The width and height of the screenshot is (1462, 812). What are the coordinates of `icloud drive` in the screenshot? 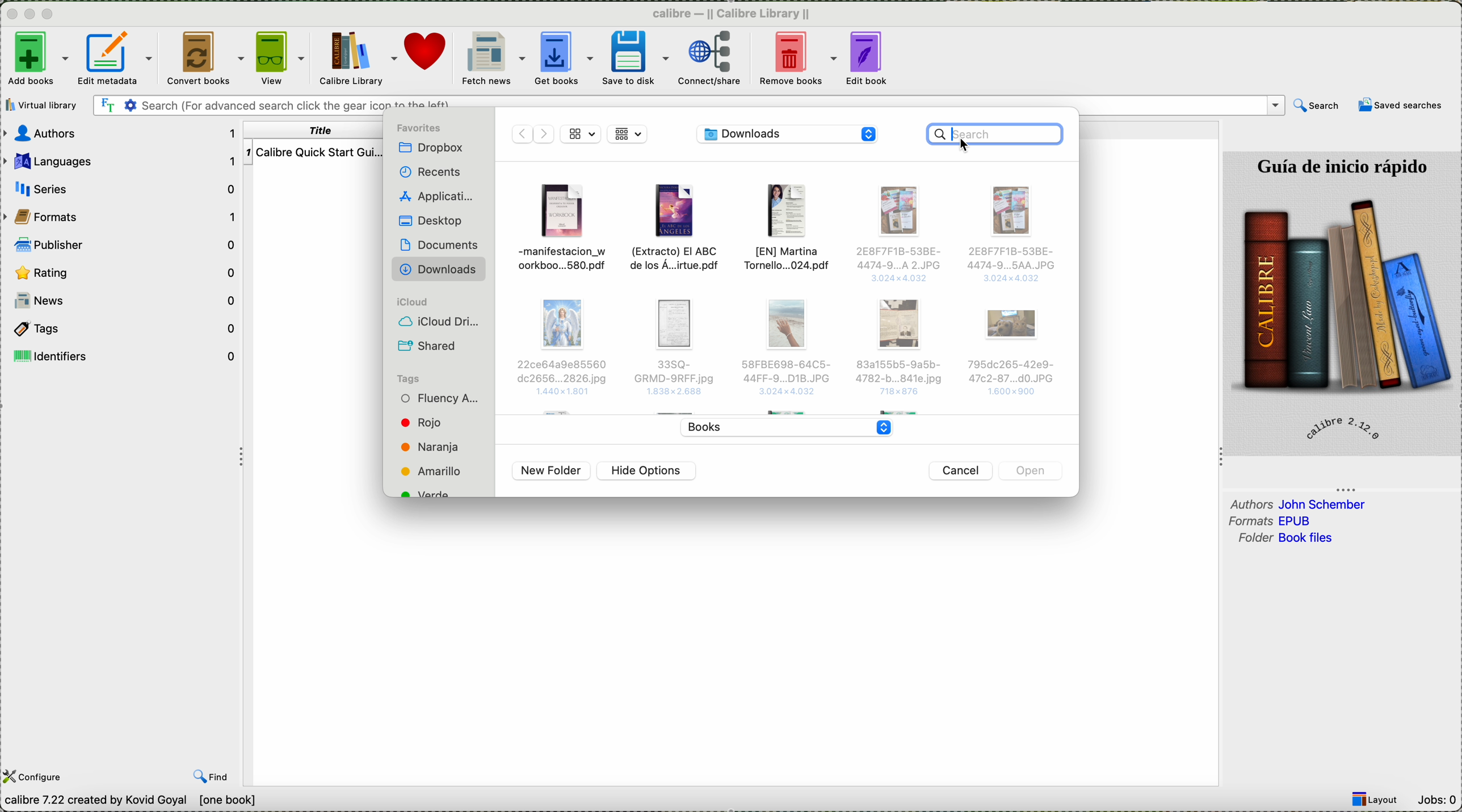 It's located at (441, 321).